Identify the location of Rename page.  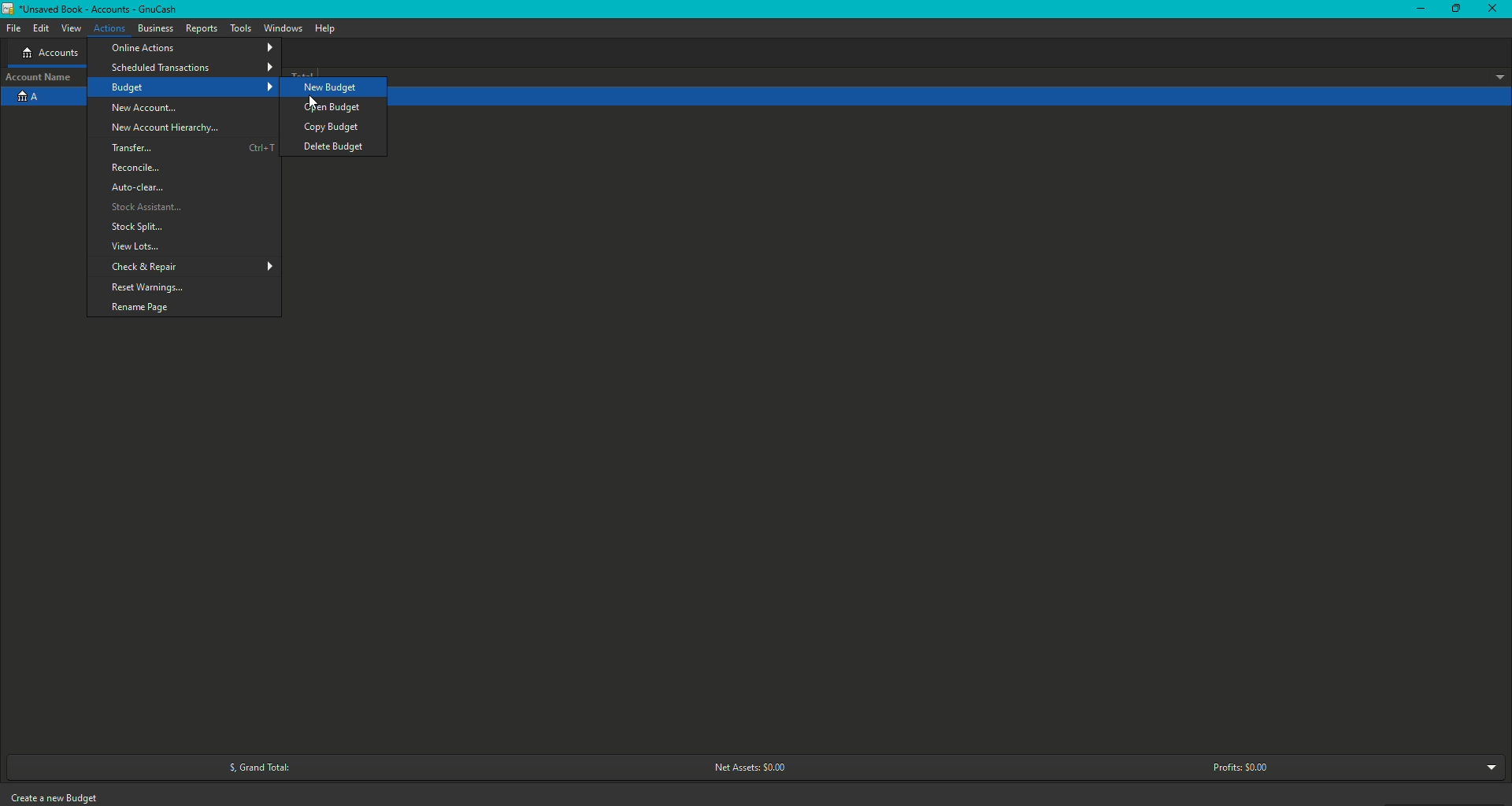
(141, 309).